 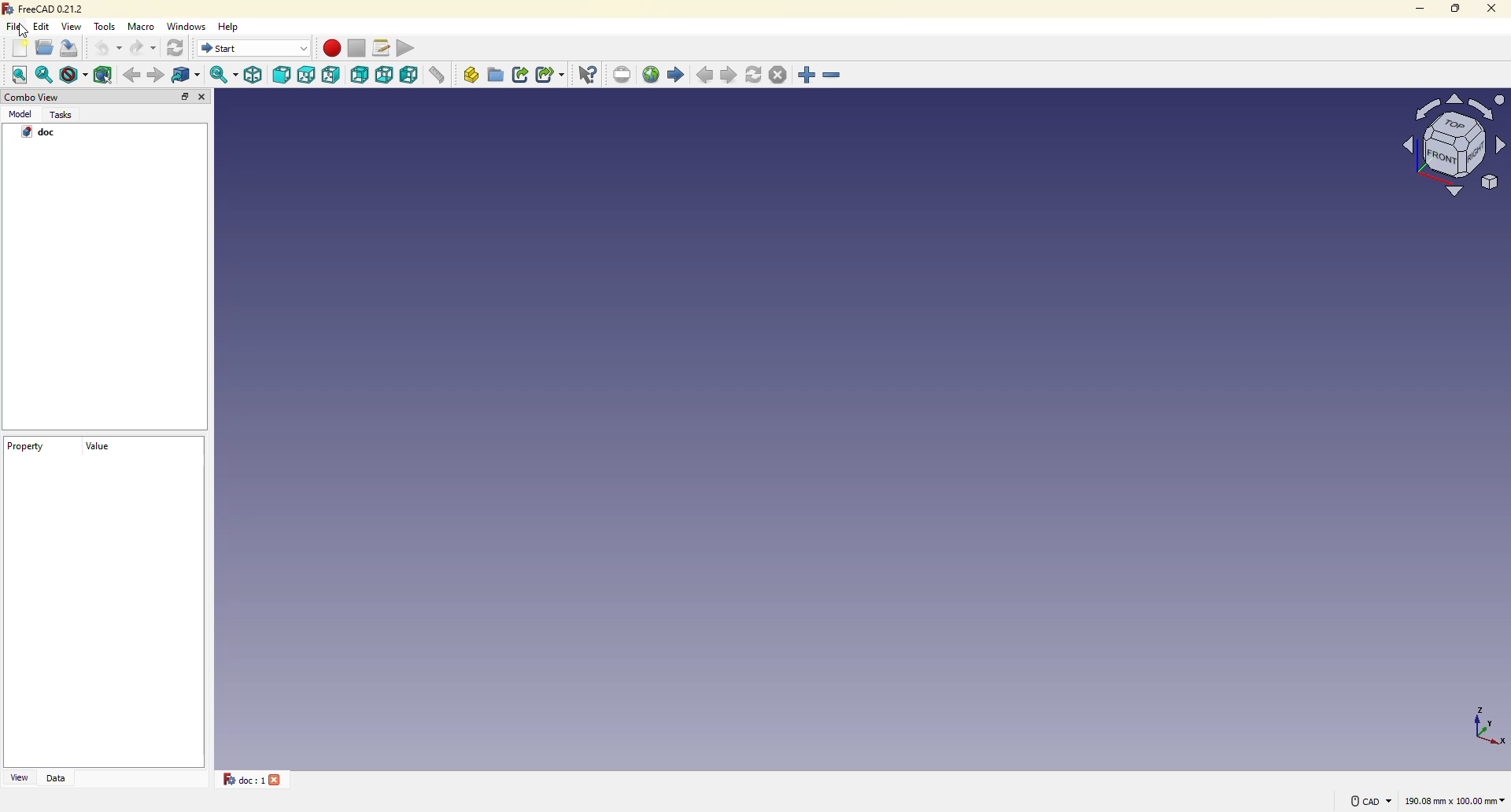 What do you see at coordinates (156, 76) in the screenshot?
I see `forward` at bounding box center [156, 76].